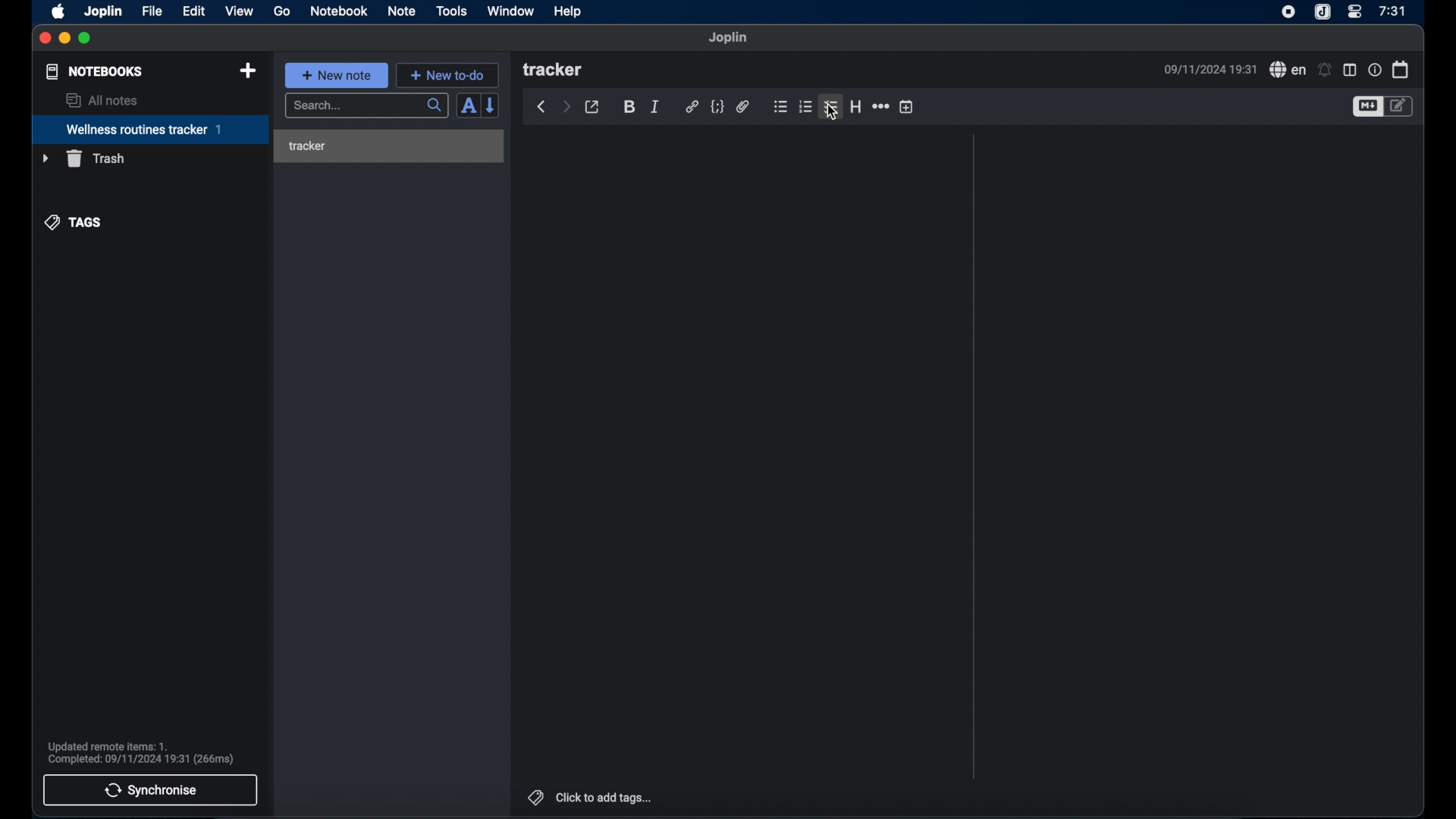 The width and height of the screenshot is (1456, 819). What do you see at coordinates (95, 71) in the screenshot?
I see `notebooks` at bounding box center [95, 71].